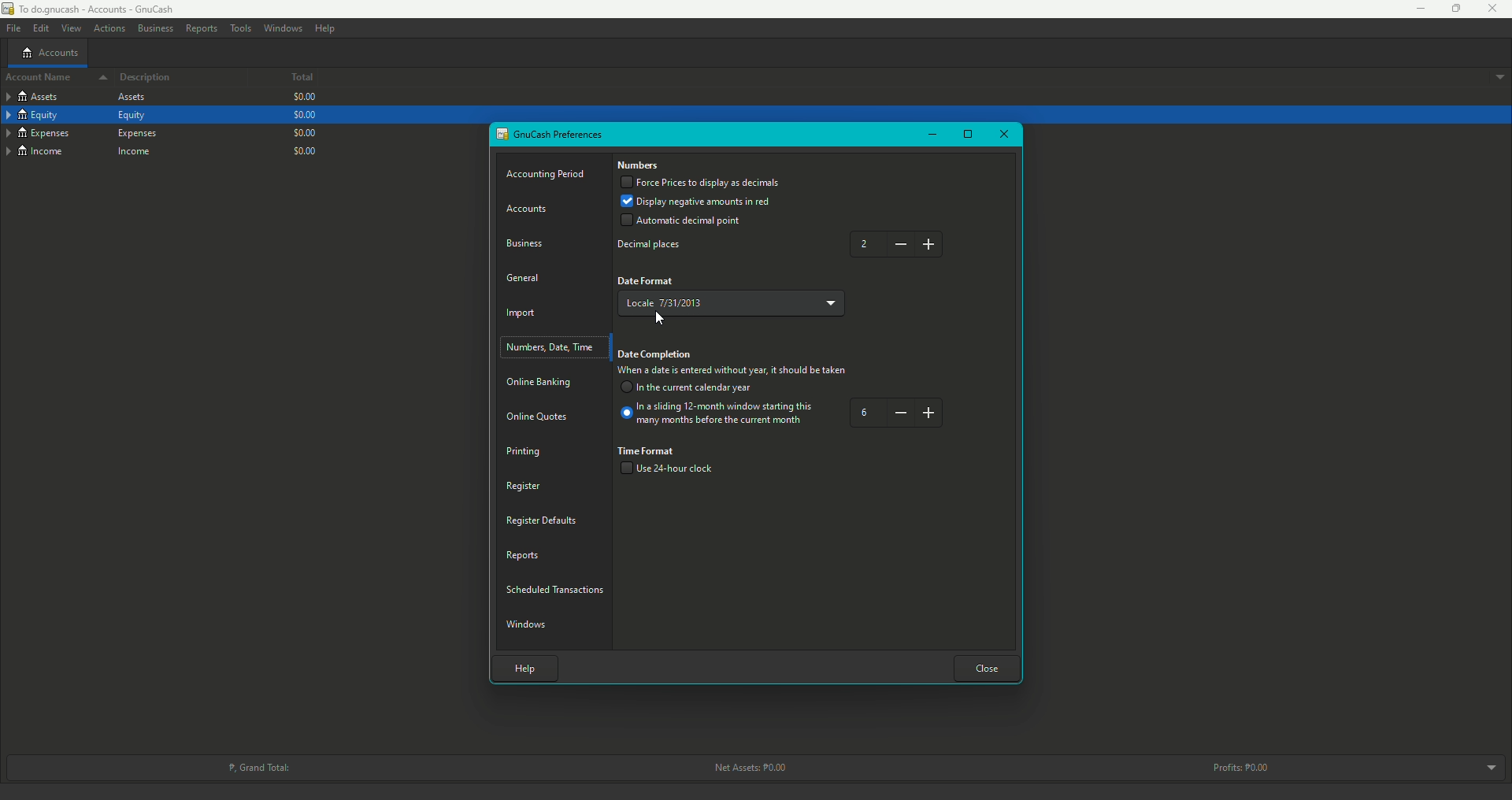 The height and width of the screenshot is (800, 1512). What do you see at coordinates (699, 201) in the screenshot?
I see `Display negative amounts in red` at bounding box center [699, 201].